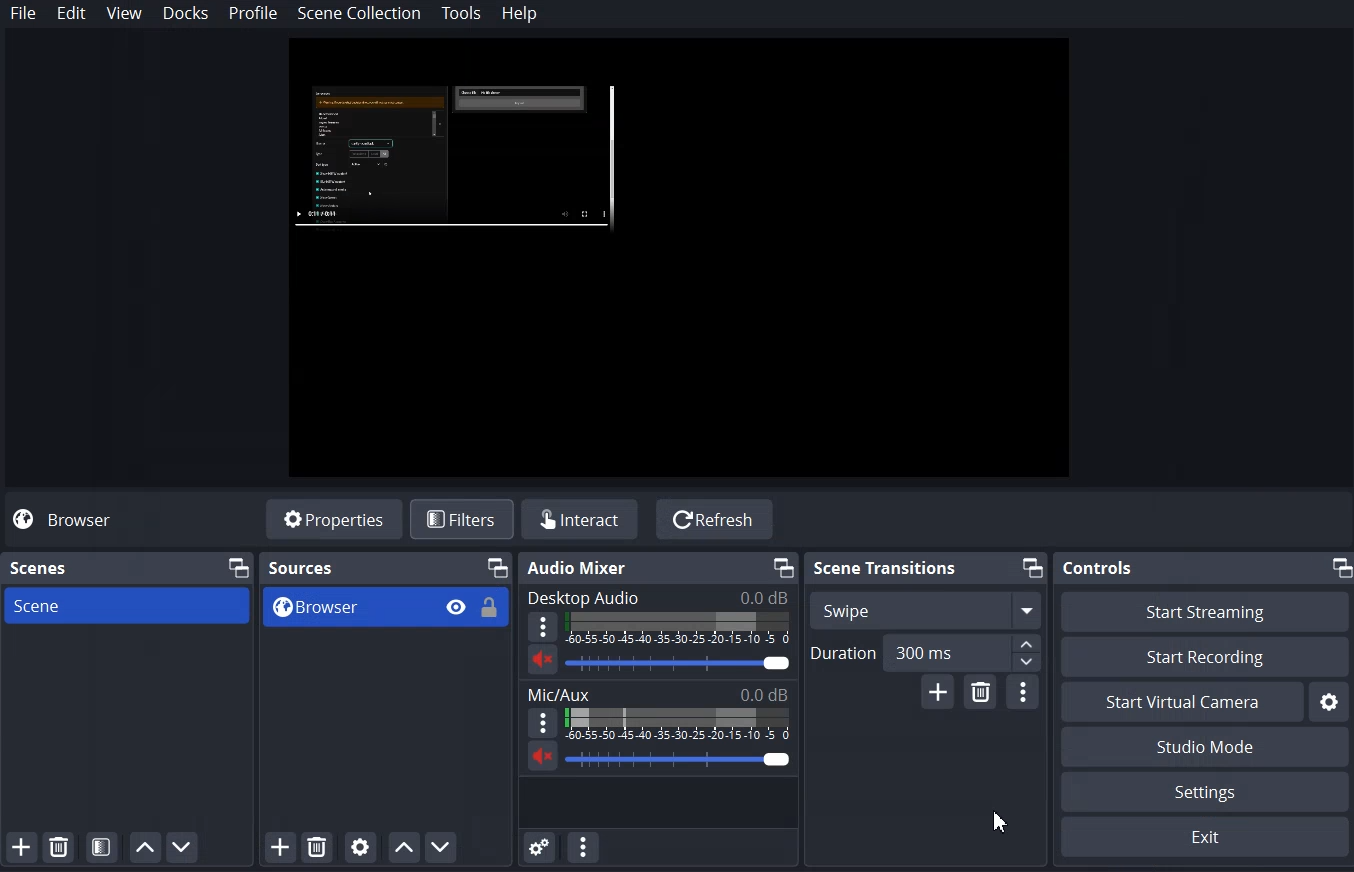 The image size is (1354, 872). What do you see at coordinates (360, 13) in the screenshot?
I see `Scene Collection` at bounding box center [360, 13].